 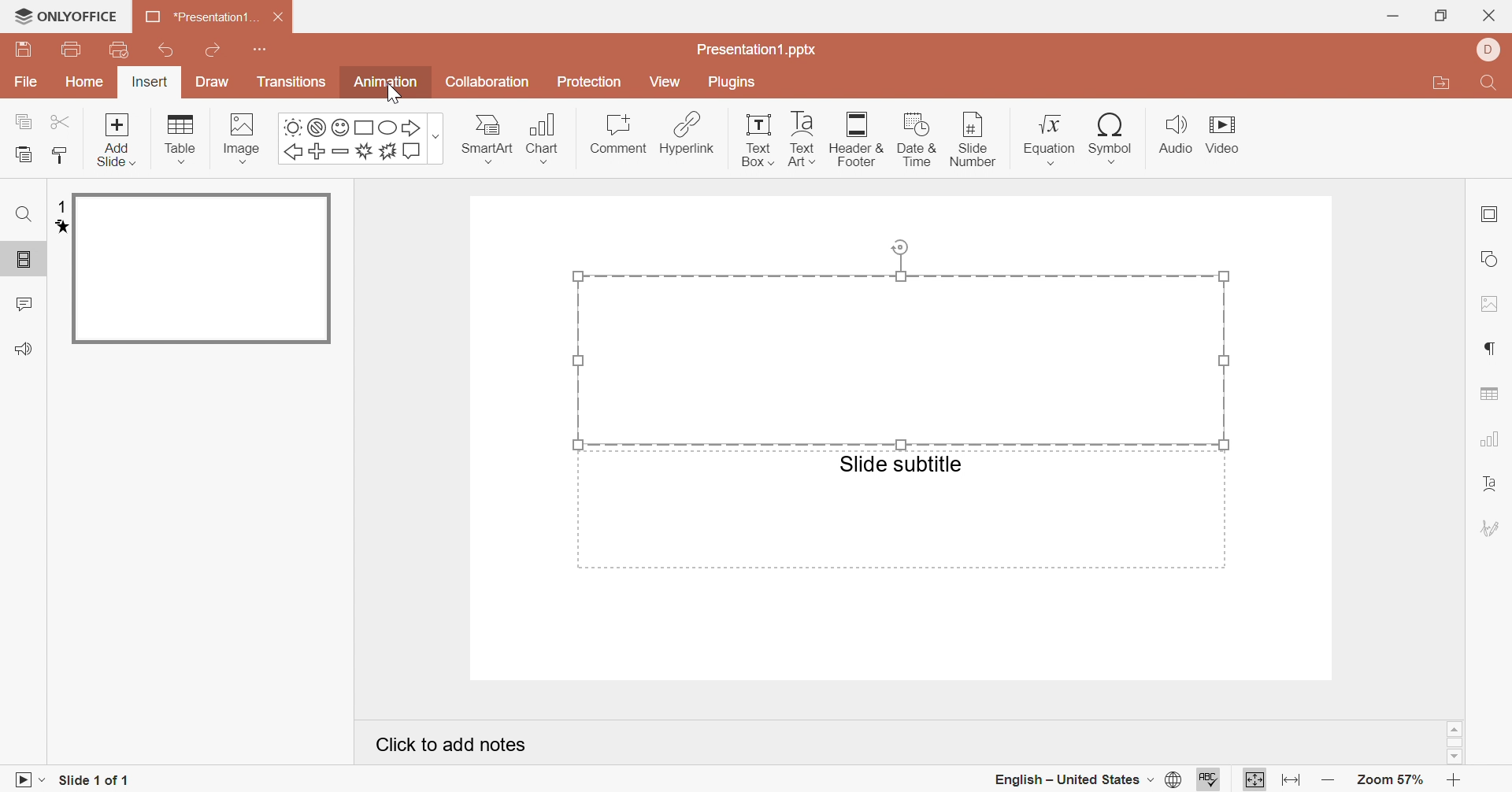 What do you see at coordinates (1488, 257) in the screenshot?
I see `shape settings` at bounding box center [1488, 257].